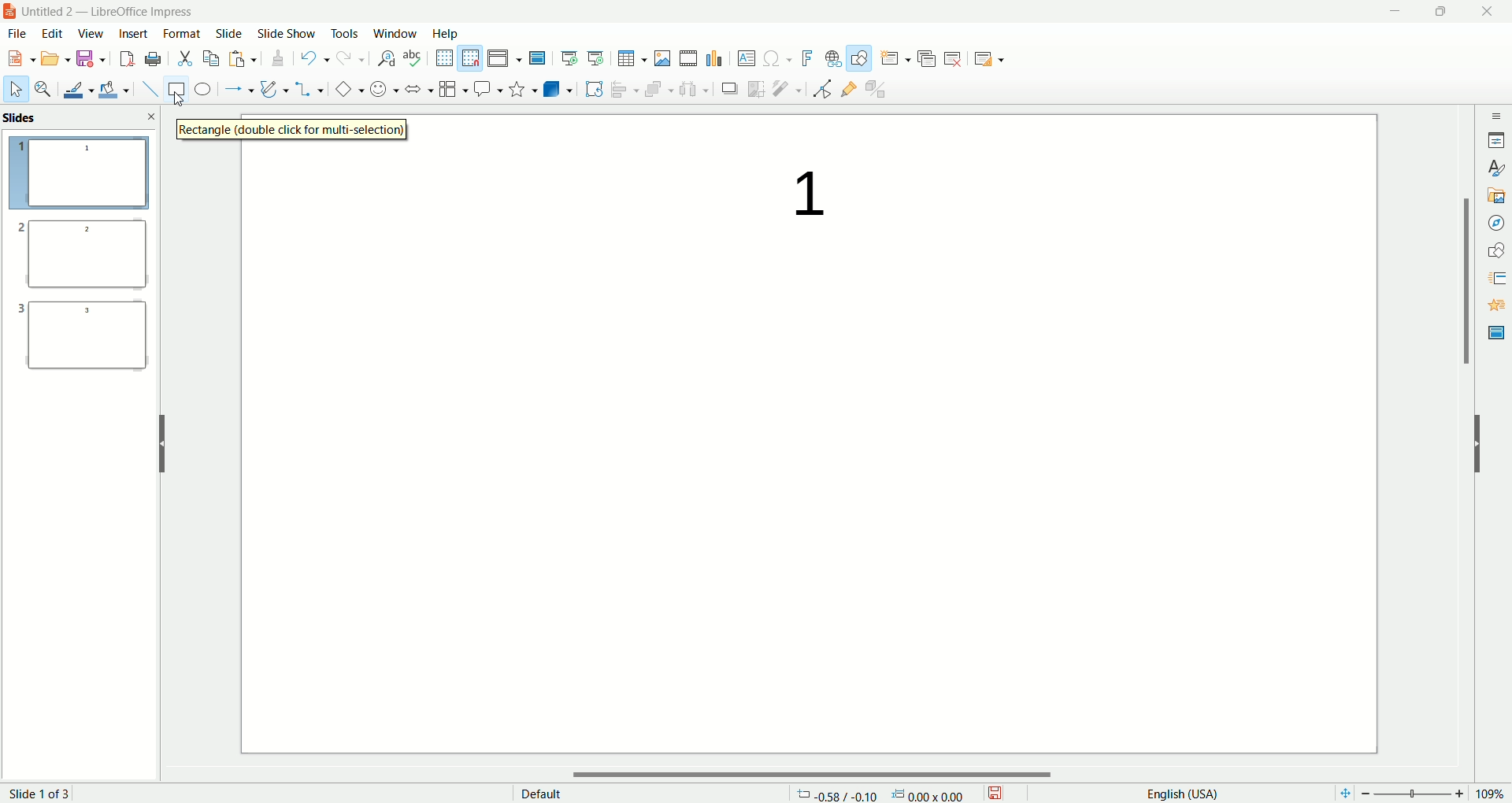  What do you see at coordinates (1495, 113) in the screenshot?
I see `sidebar settings` at bounding box center [1495, 113].